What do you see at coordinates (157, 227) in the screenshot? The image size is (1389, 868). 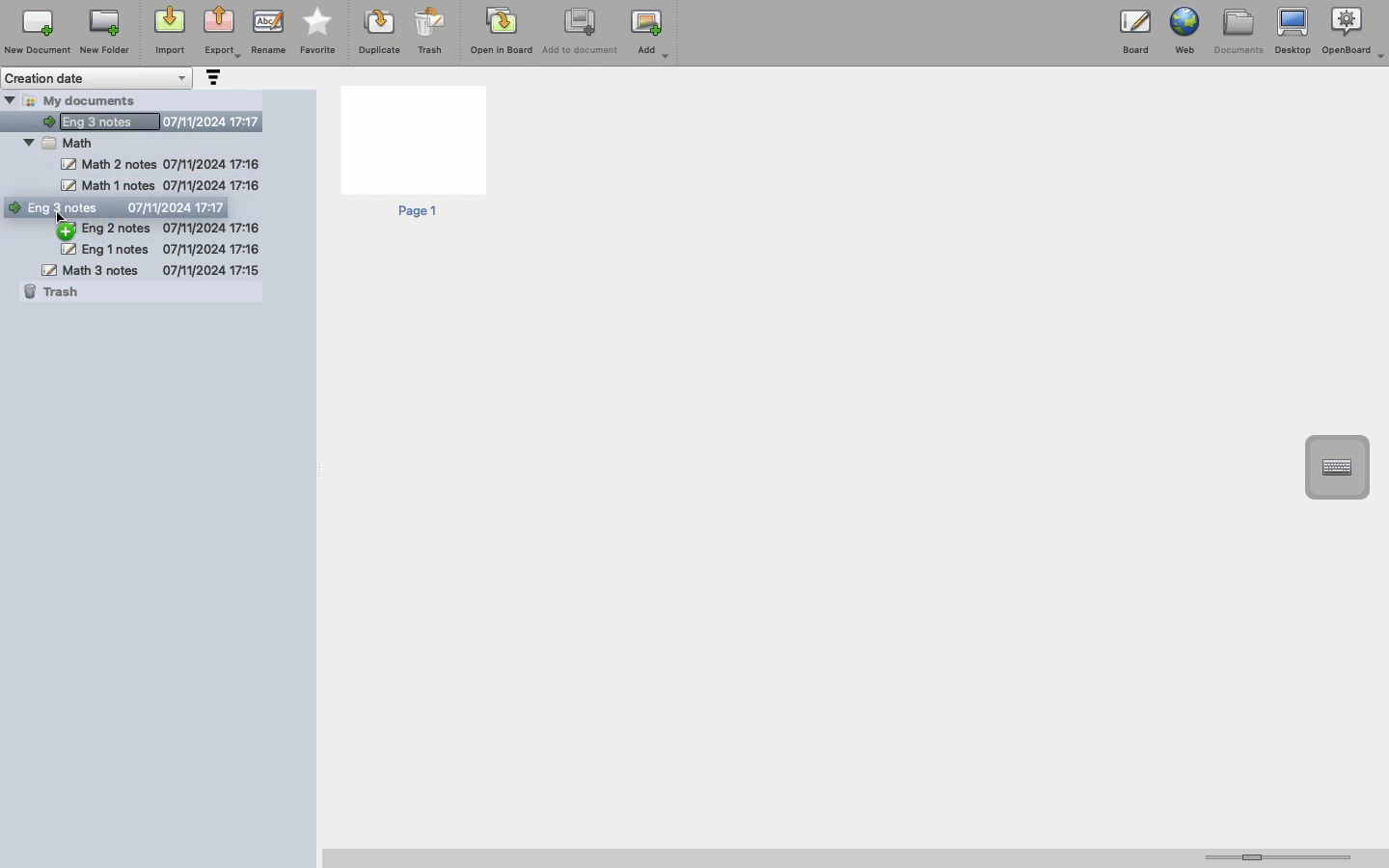 I see `Eng 2 notes` at bounding box center [157, 227].